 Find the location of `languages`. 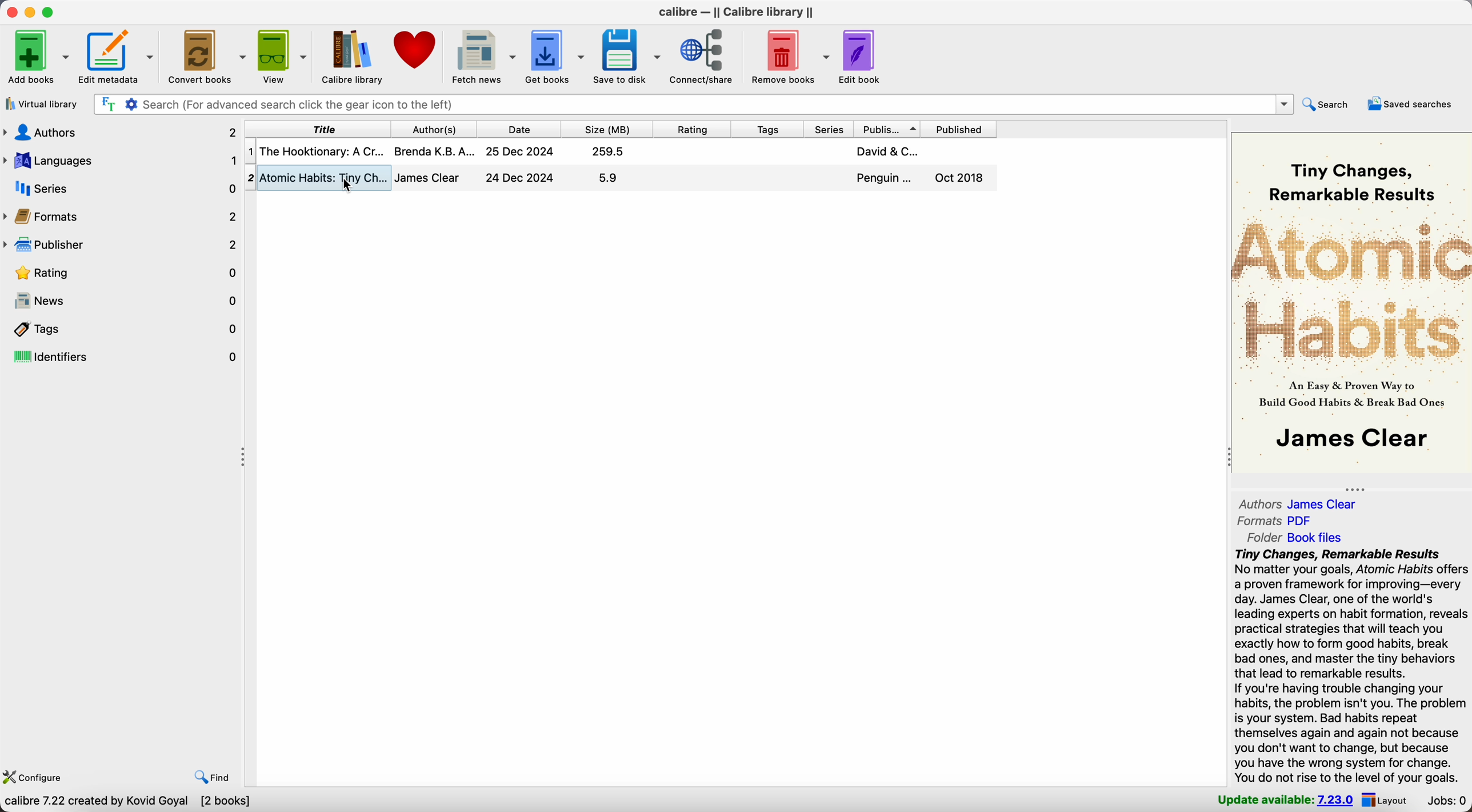

languages is located at coordinates (121, 162).